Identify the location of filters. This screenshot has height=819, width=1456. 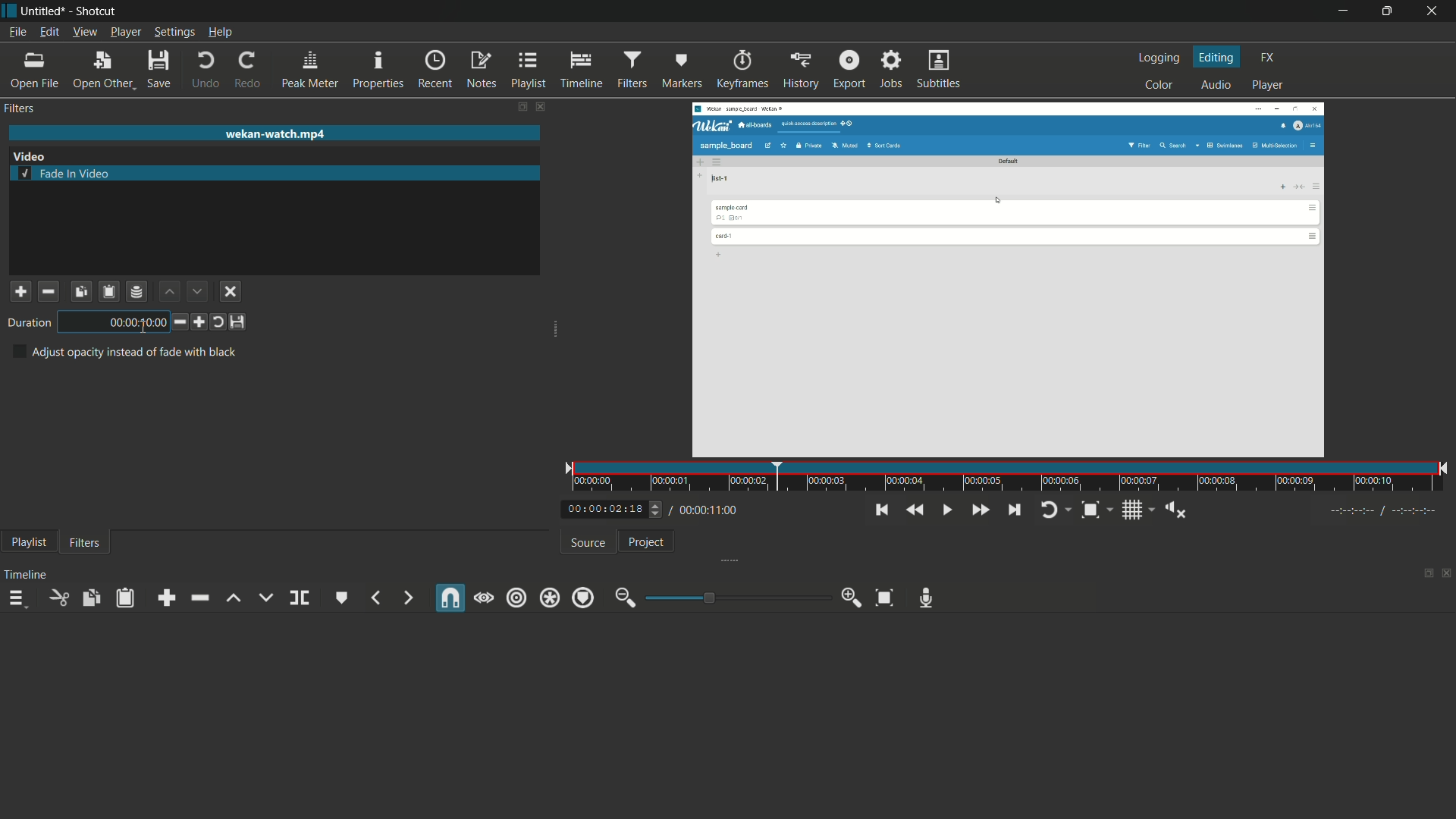
(631, 69).